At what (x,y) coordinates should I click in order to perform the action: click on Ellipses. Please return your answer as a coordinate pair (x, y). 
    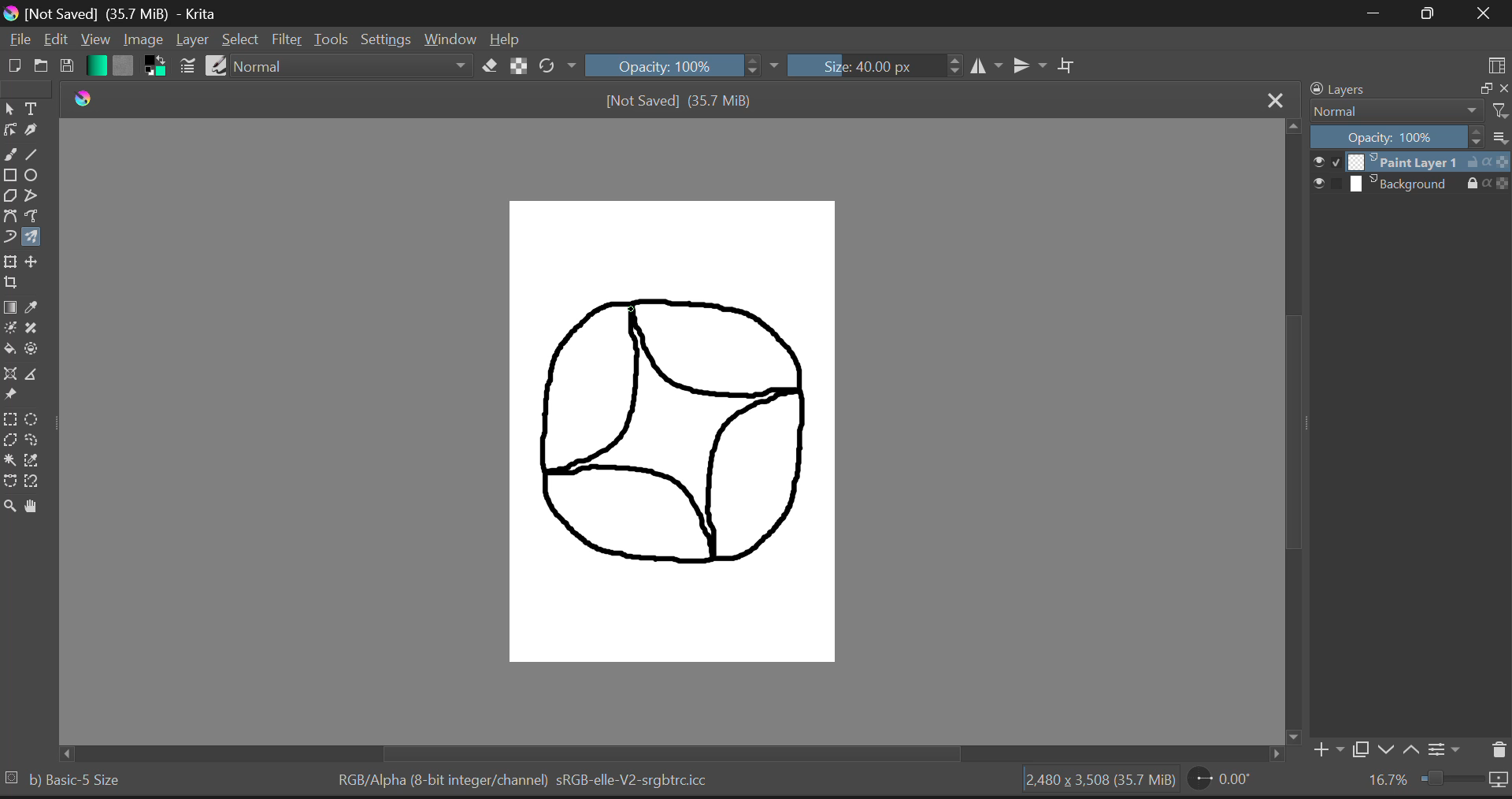
    Looking at the image, I should click on (34, 175).